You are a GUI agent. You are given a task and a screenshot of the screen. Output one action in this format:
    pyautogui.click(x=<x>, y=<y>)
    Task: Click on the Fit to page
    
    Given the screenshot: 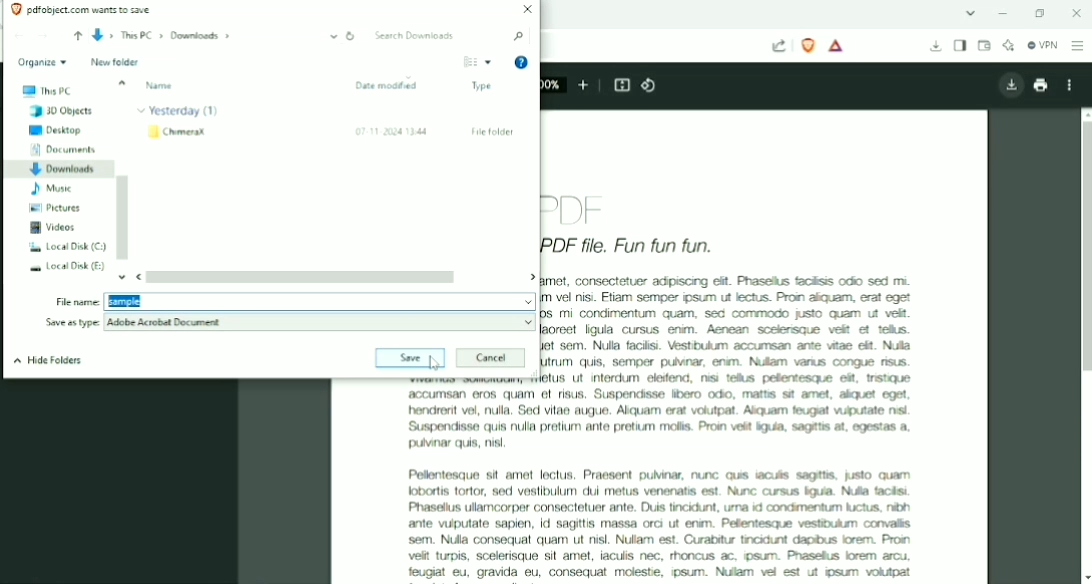 What is the action you would take?
    pyautogui.click(x=623, y=85)
    